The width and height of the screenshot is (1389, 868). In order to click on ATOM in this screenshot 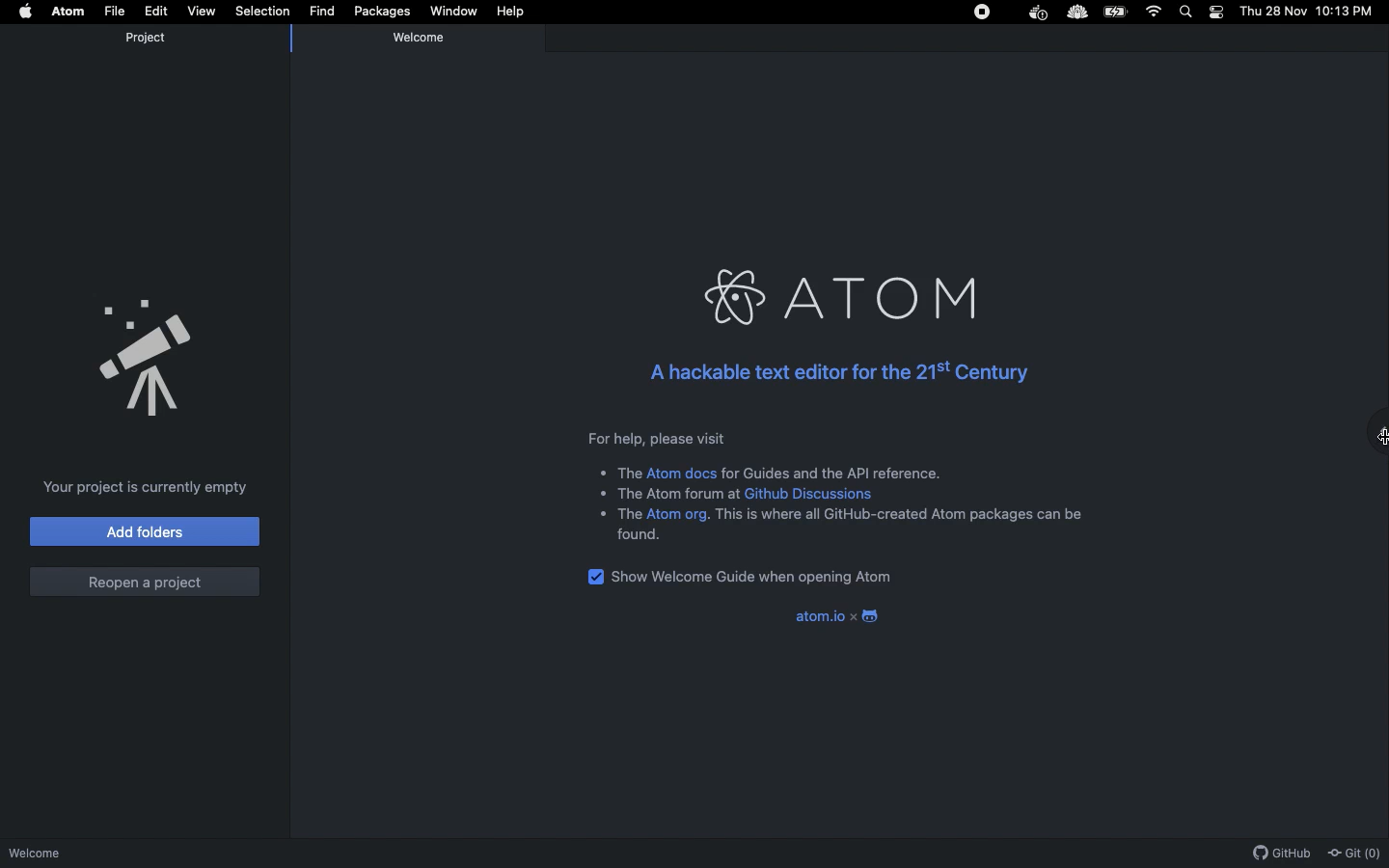, I will do `click(815, 291)`.